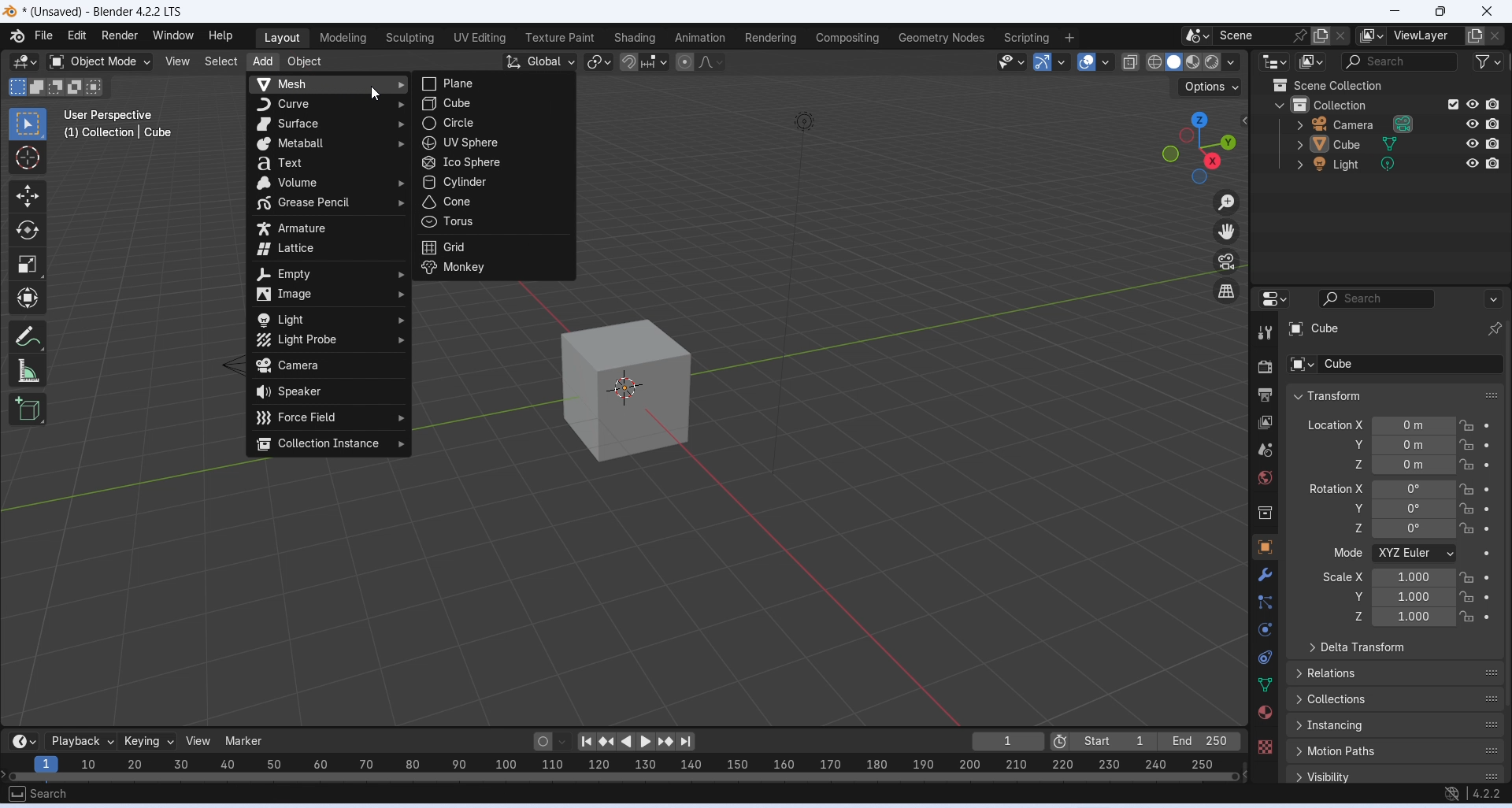  Describe the element at coordinates (111, 114) in the screenshot. I see `user perspective` at that location.